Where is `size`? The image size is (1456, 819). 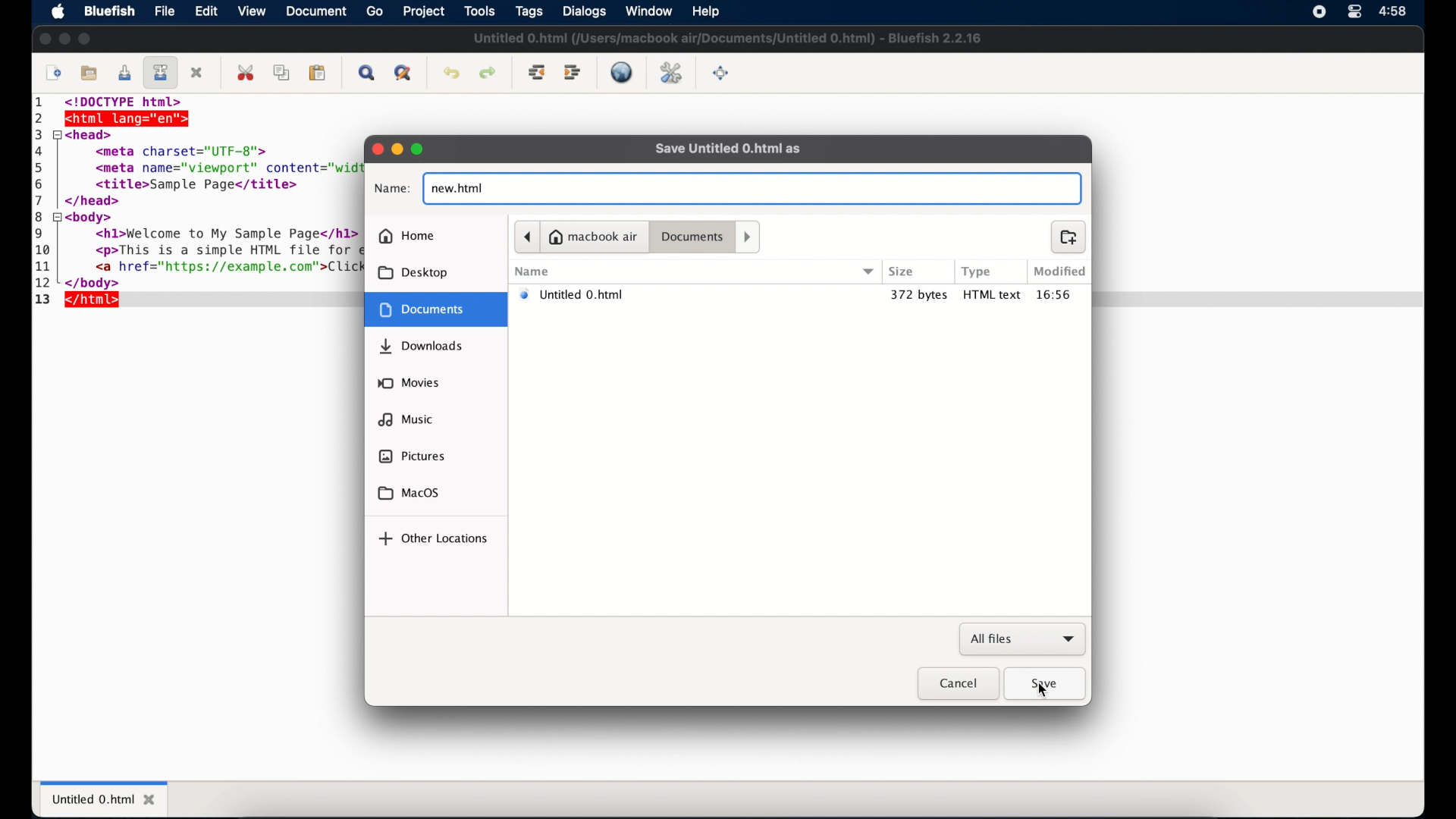
size is located at coordinates (902, 271).